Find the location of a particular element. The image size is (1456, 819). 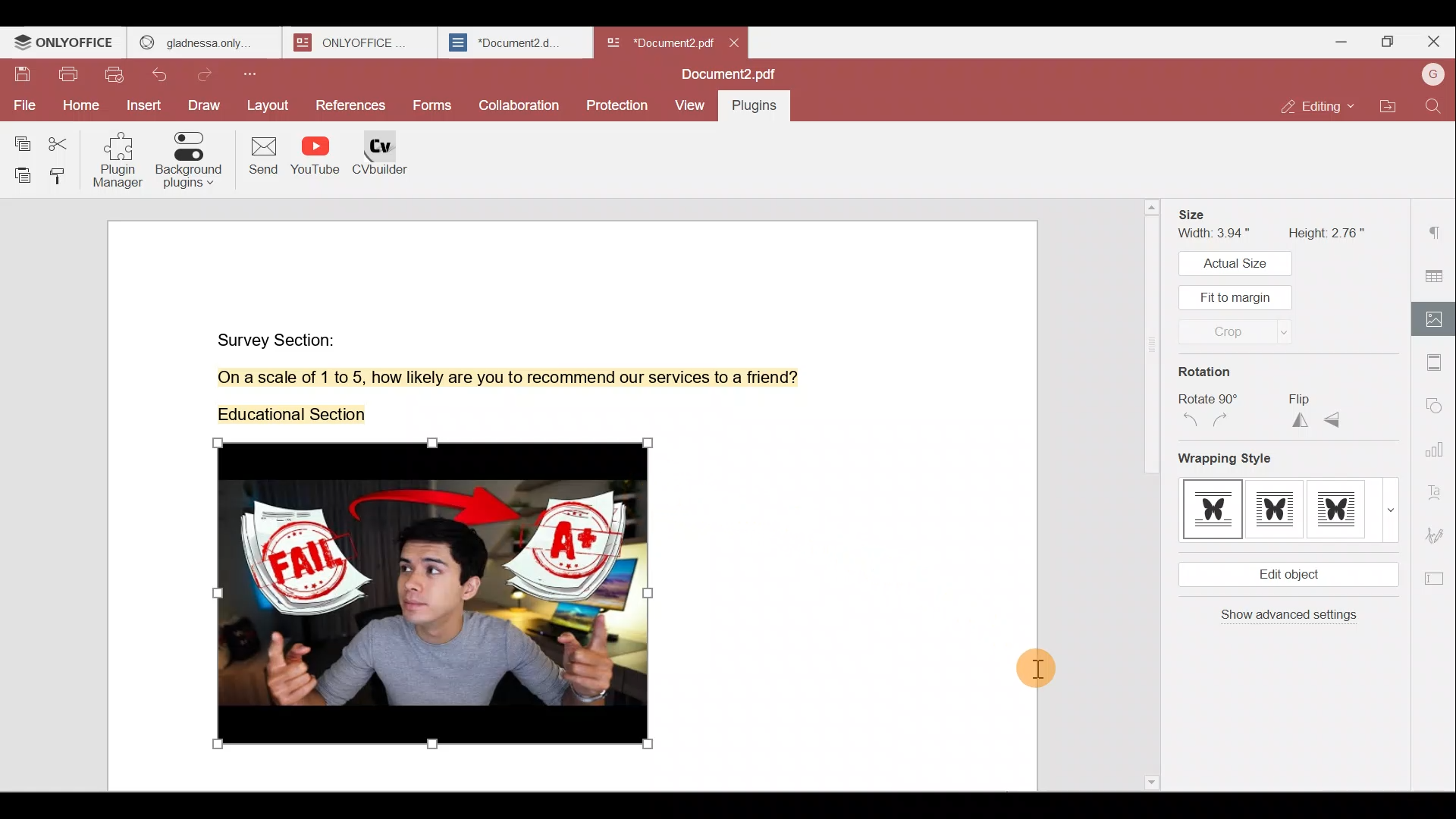

Header & footer settings is located at coordinates (1438, 361).